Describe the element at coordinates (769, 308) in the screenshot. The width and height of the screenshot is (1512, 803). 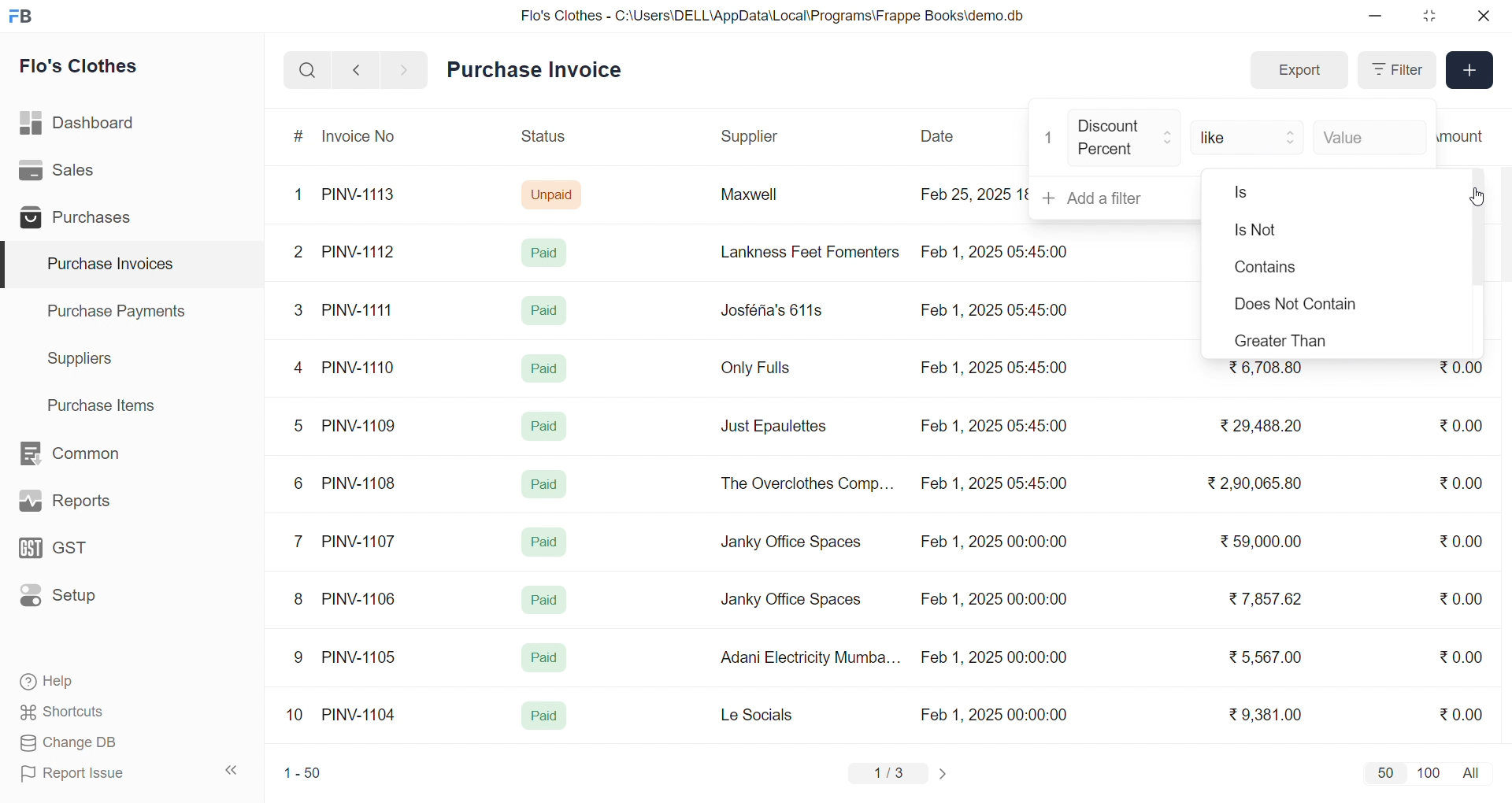
I see `Josféria's 611s` at that location.